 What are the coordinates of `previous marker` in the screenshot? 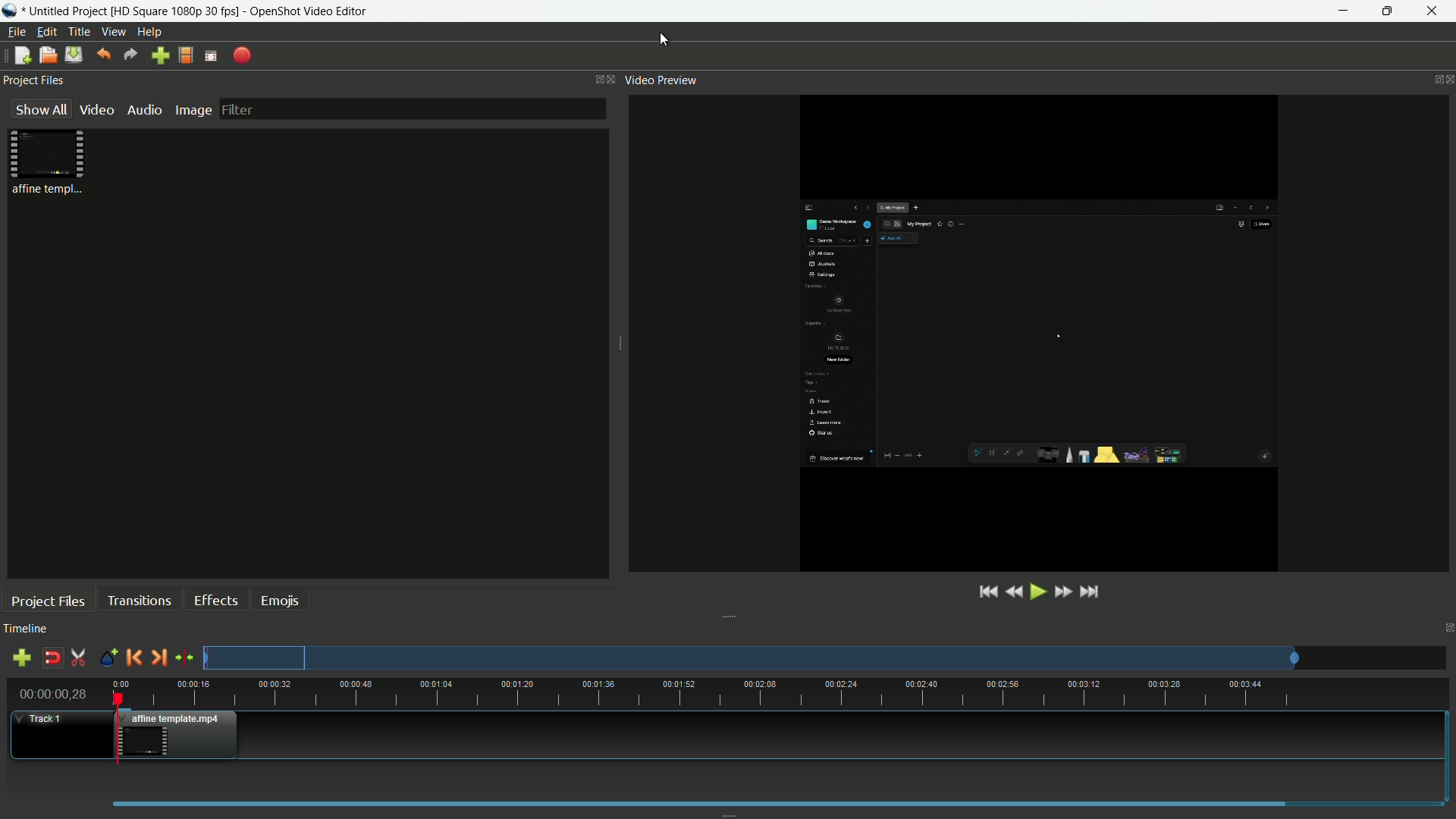 It's located at (133, 657).